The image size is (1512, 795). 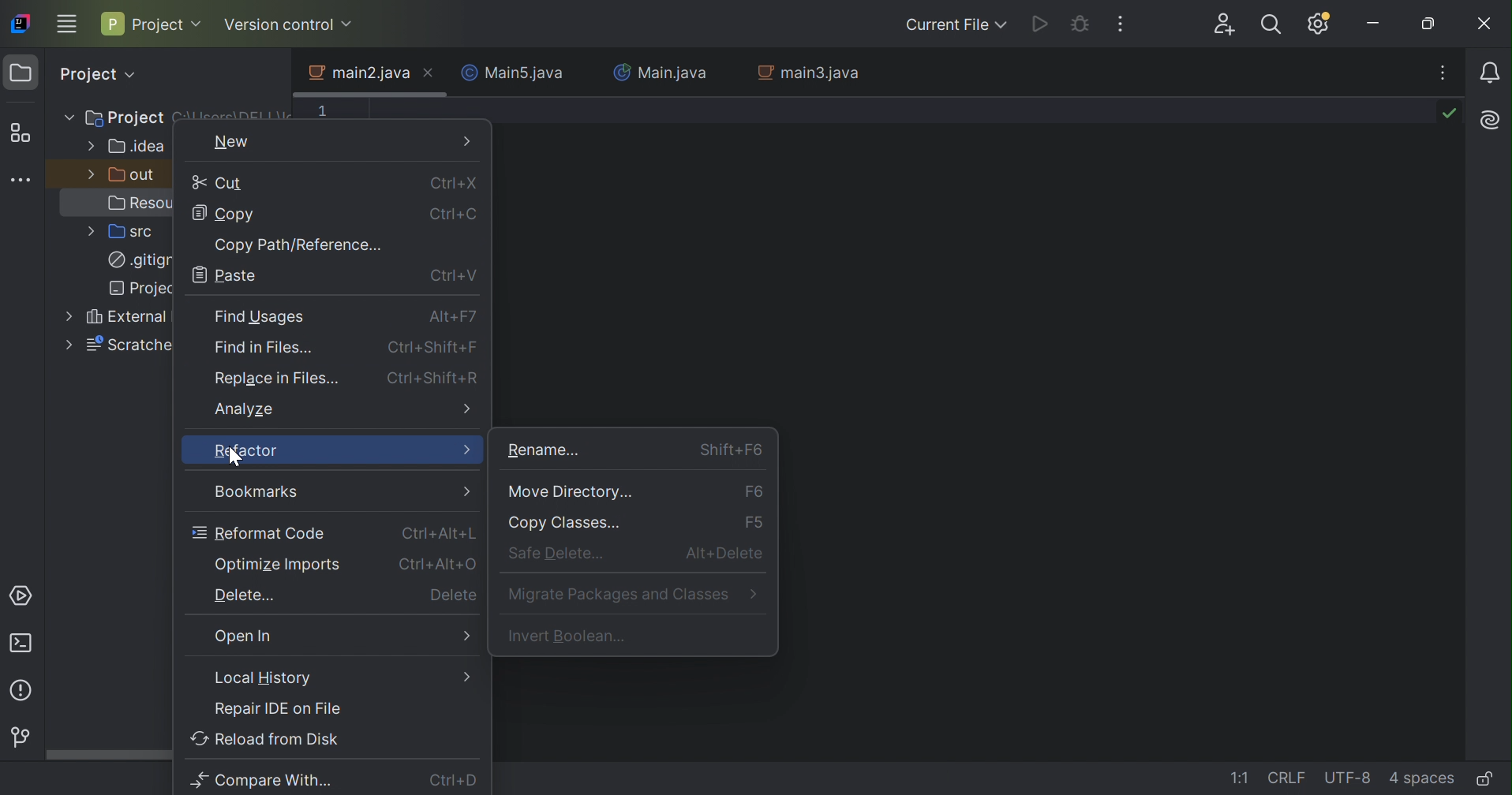 What do you see at coordinates (226, 216) in the screenshot?
I see `Copy` at bounding box center [226, 216].